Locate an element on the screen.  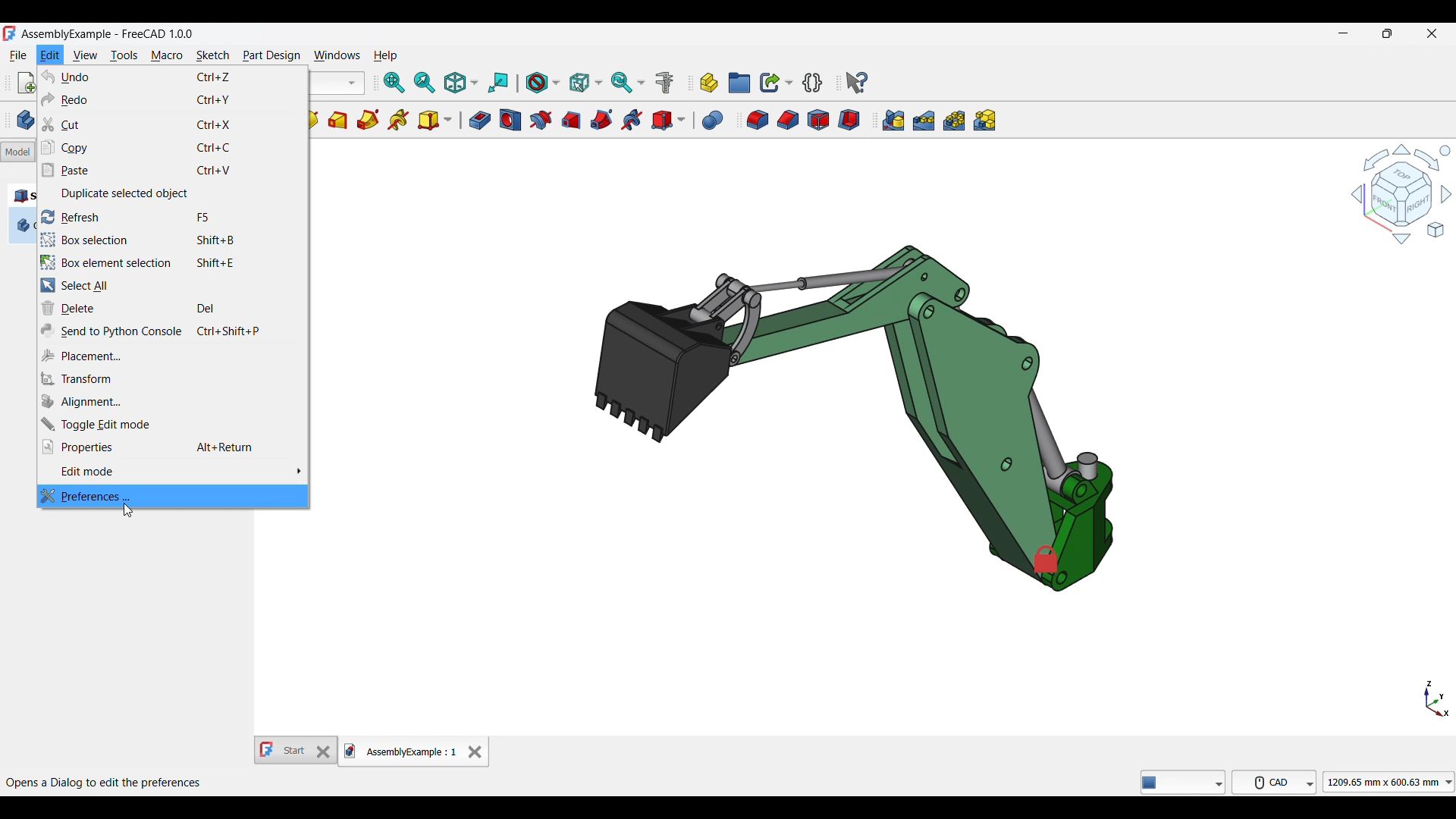
Part design menu is located at coordinates (271, 56).